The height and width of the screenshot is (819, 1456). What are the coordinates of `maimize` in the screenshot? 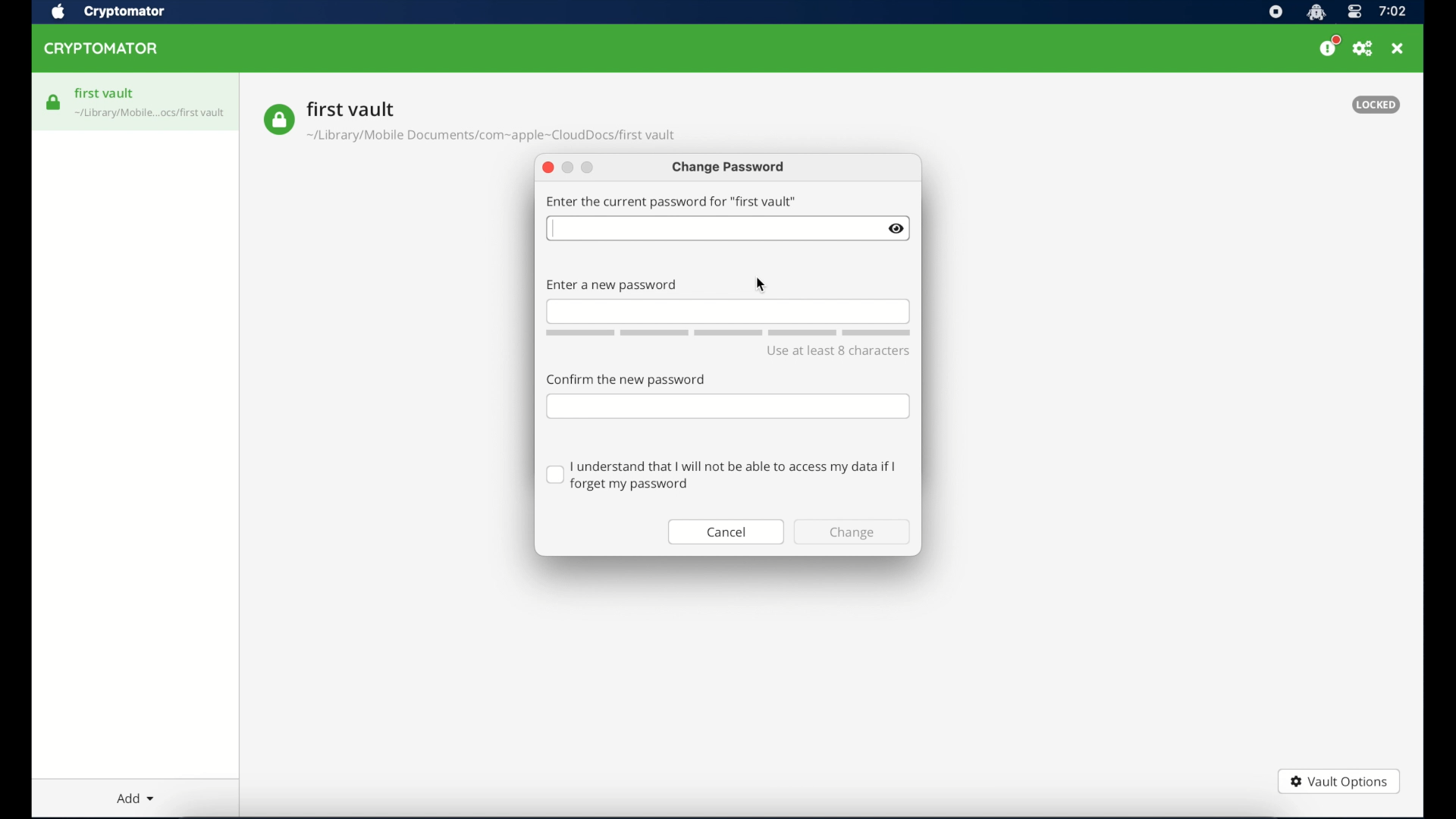 It's located at (587, 168).